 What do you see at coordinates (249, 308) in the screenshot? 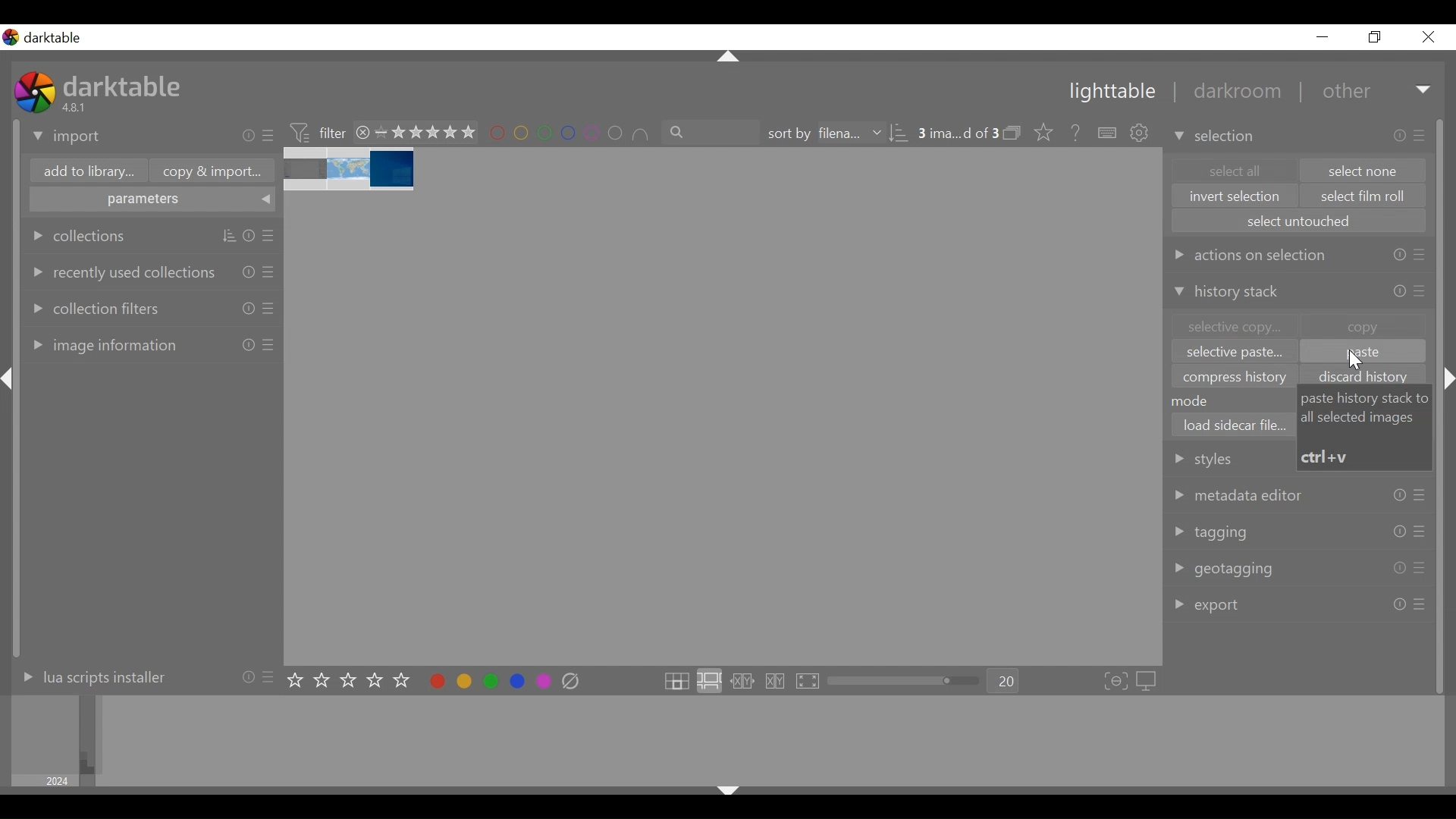
I see `info` at bounding box center [249, 308].